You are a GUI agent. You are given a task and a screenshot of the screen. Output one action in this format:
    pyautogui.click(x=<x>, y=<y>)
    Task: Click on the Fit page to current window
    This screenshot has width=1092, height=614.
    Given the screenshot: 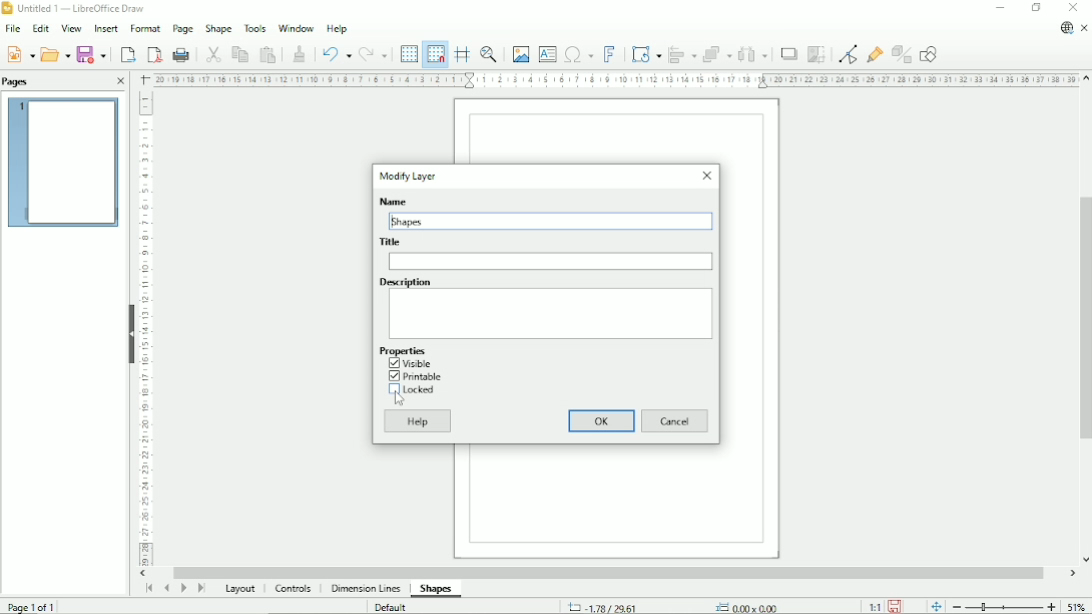 What is the action you would take?
    pyautogui.click(x=936, y=606)
    